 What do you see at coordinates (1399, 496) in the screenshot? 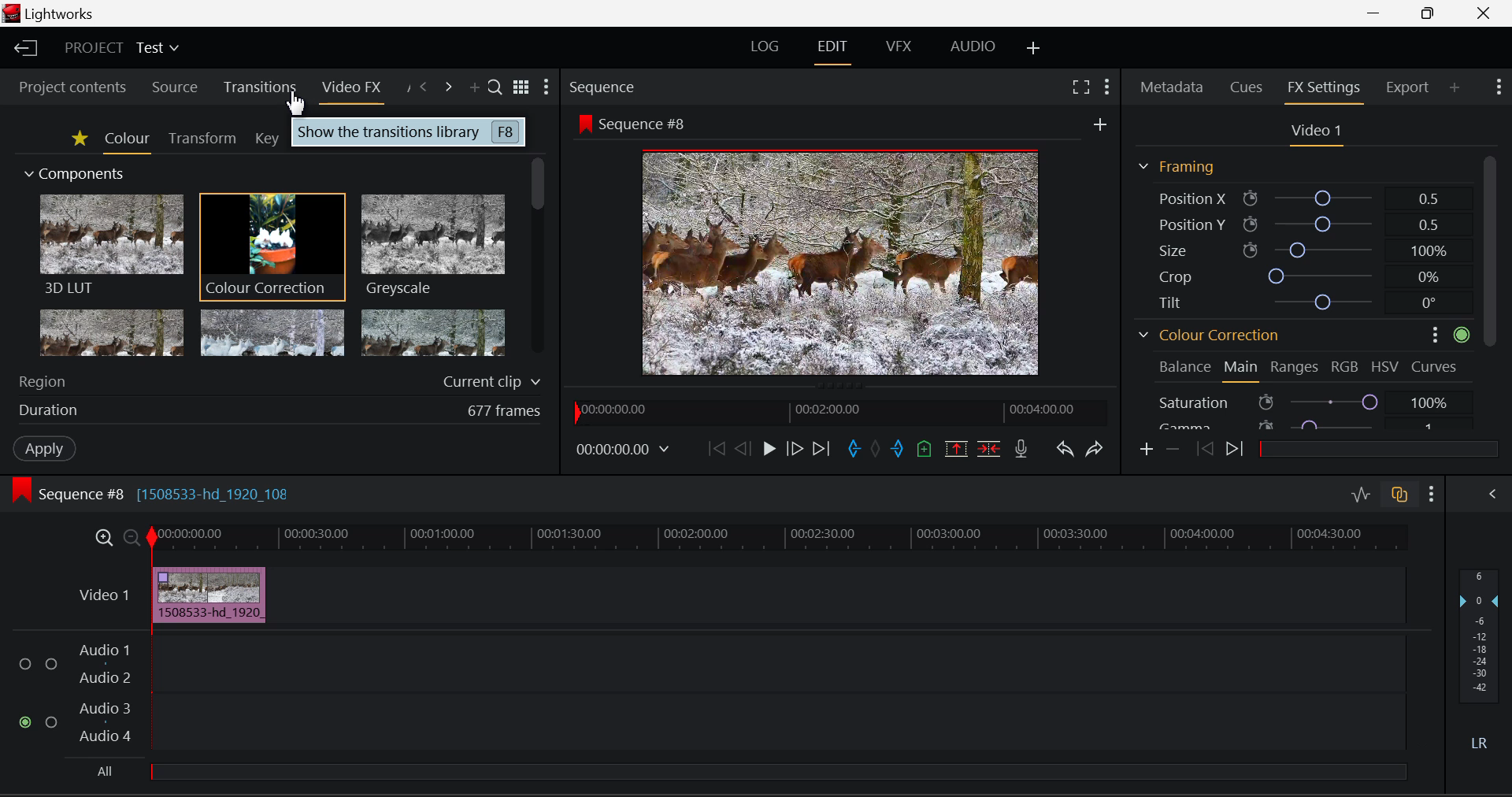
I see `Toggle Auto Track Sync` at bounding box center [1399, 496].